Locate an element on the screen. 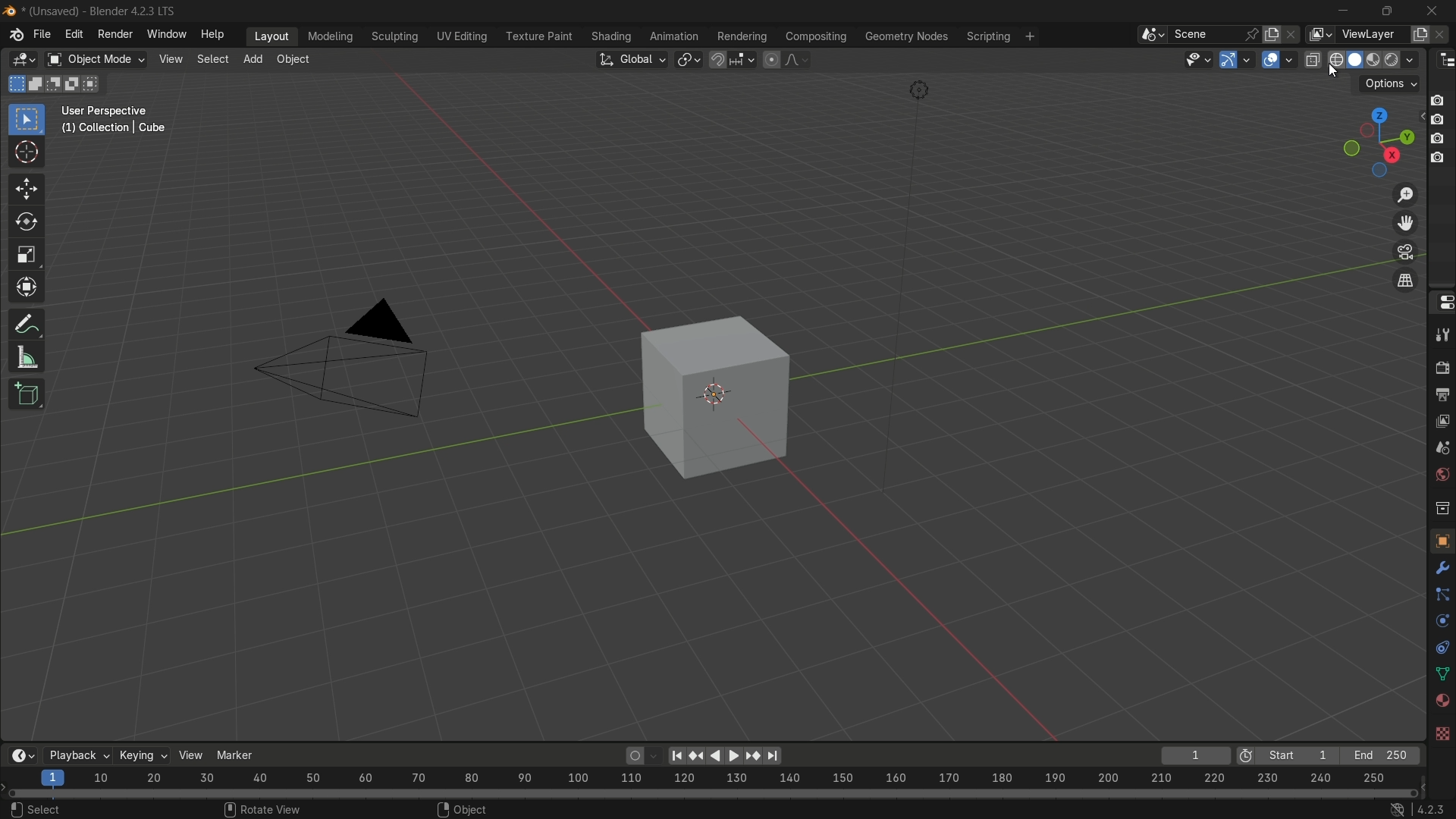 The width and height of the screenshot is (1456, 819). jump to keyframe is located at coordinates (751, 758).